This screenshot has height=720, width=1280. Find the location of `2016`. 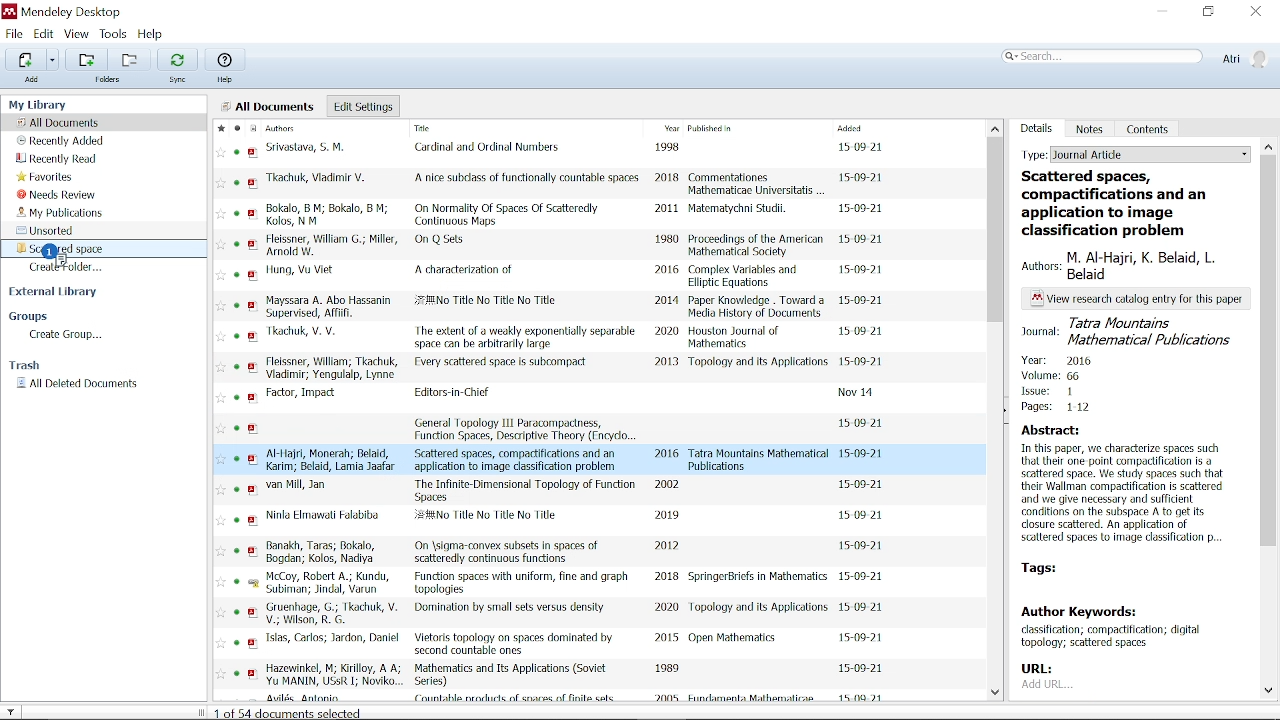

2016 is located at coordinates (668, 453).